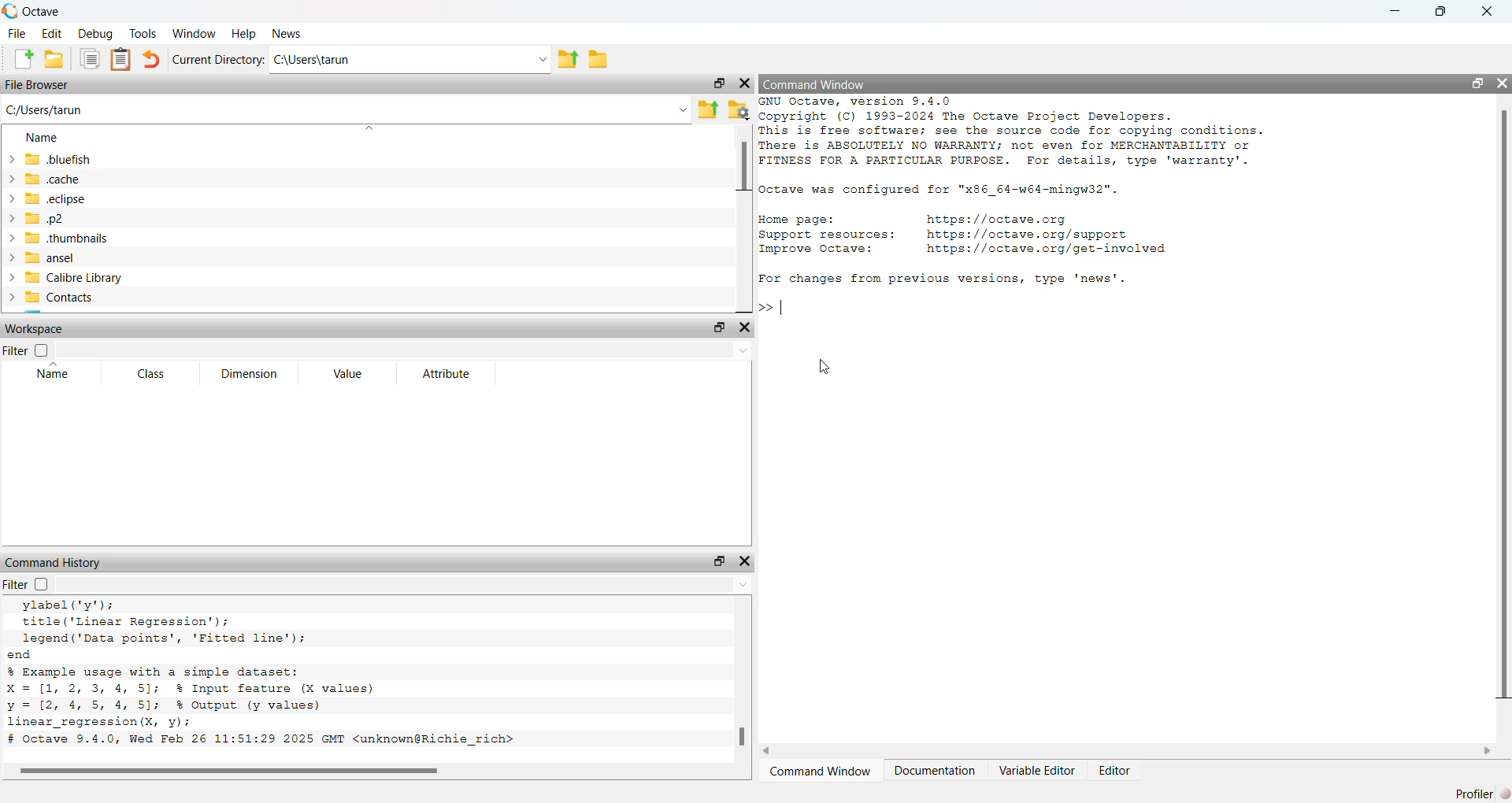  Describe the element at coordinates (90, 60) in the screenshot. I see `copy` at that location.